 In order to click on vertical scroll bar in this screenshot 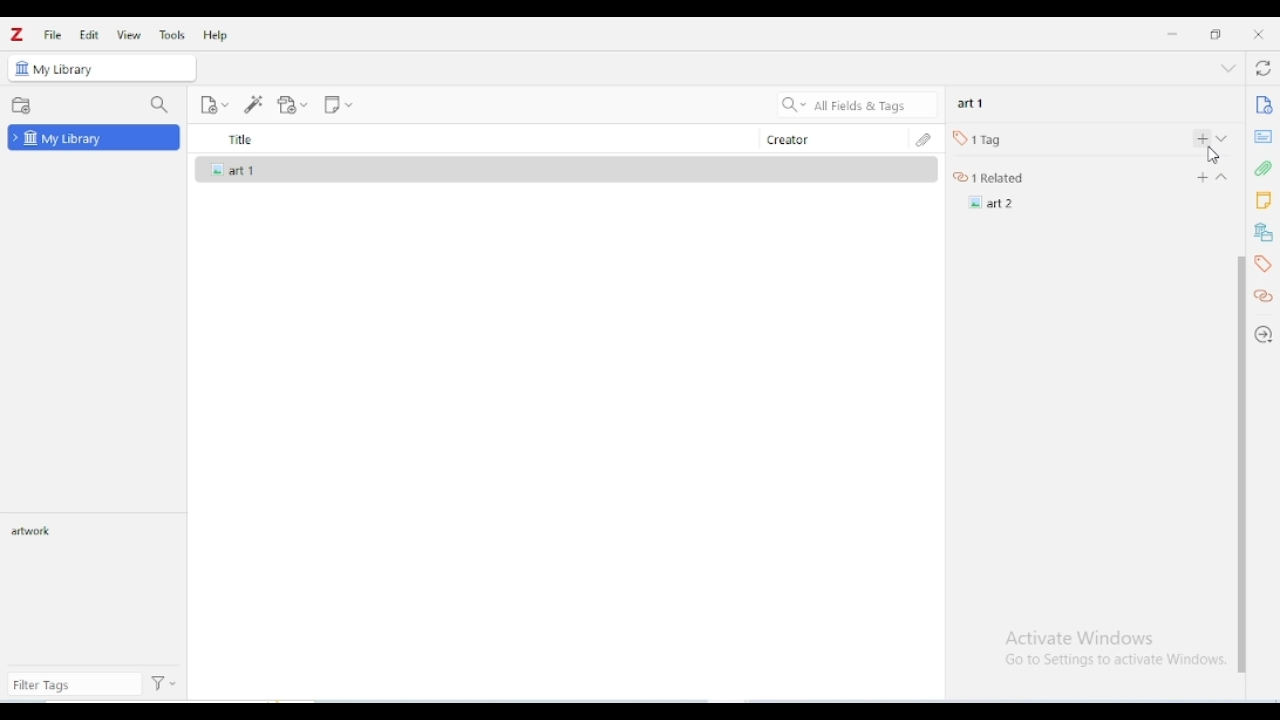, I will do `click(1241, 478)`.